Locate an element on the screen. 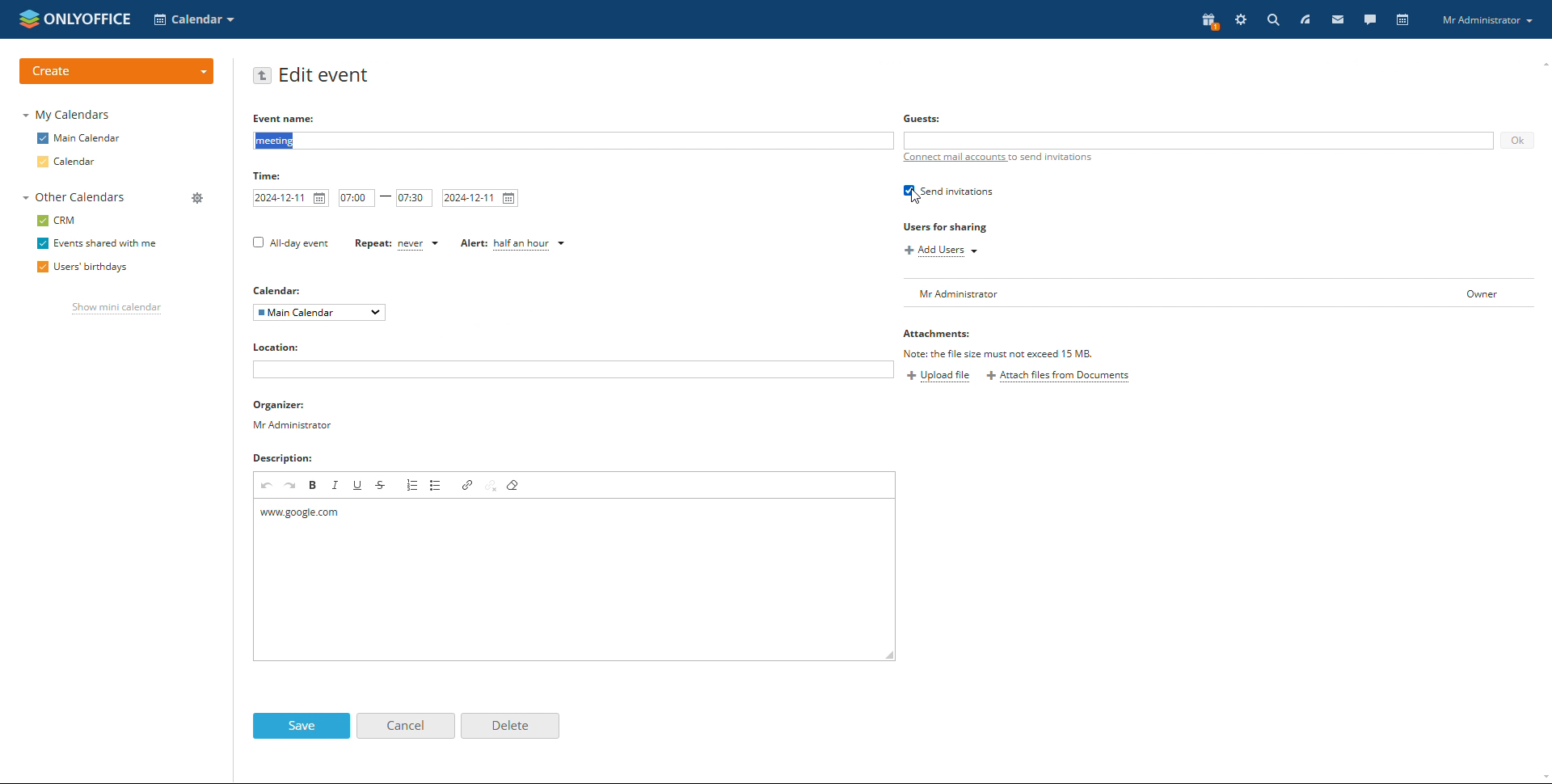  cancel is located at coordinates (407, 726).